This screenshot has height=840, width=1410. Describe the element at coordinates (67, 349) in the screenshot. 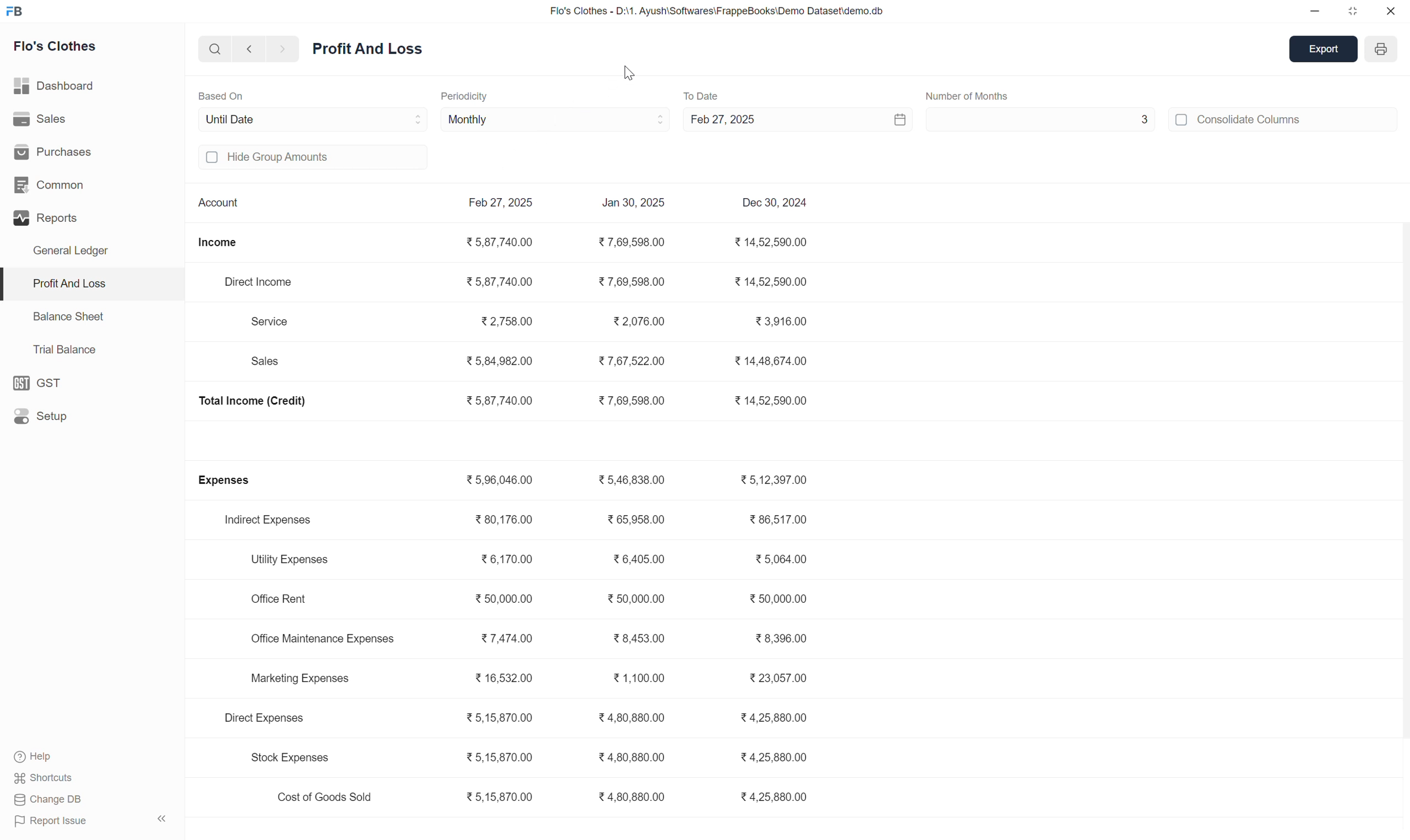

I see `Trial Balance` at that location.